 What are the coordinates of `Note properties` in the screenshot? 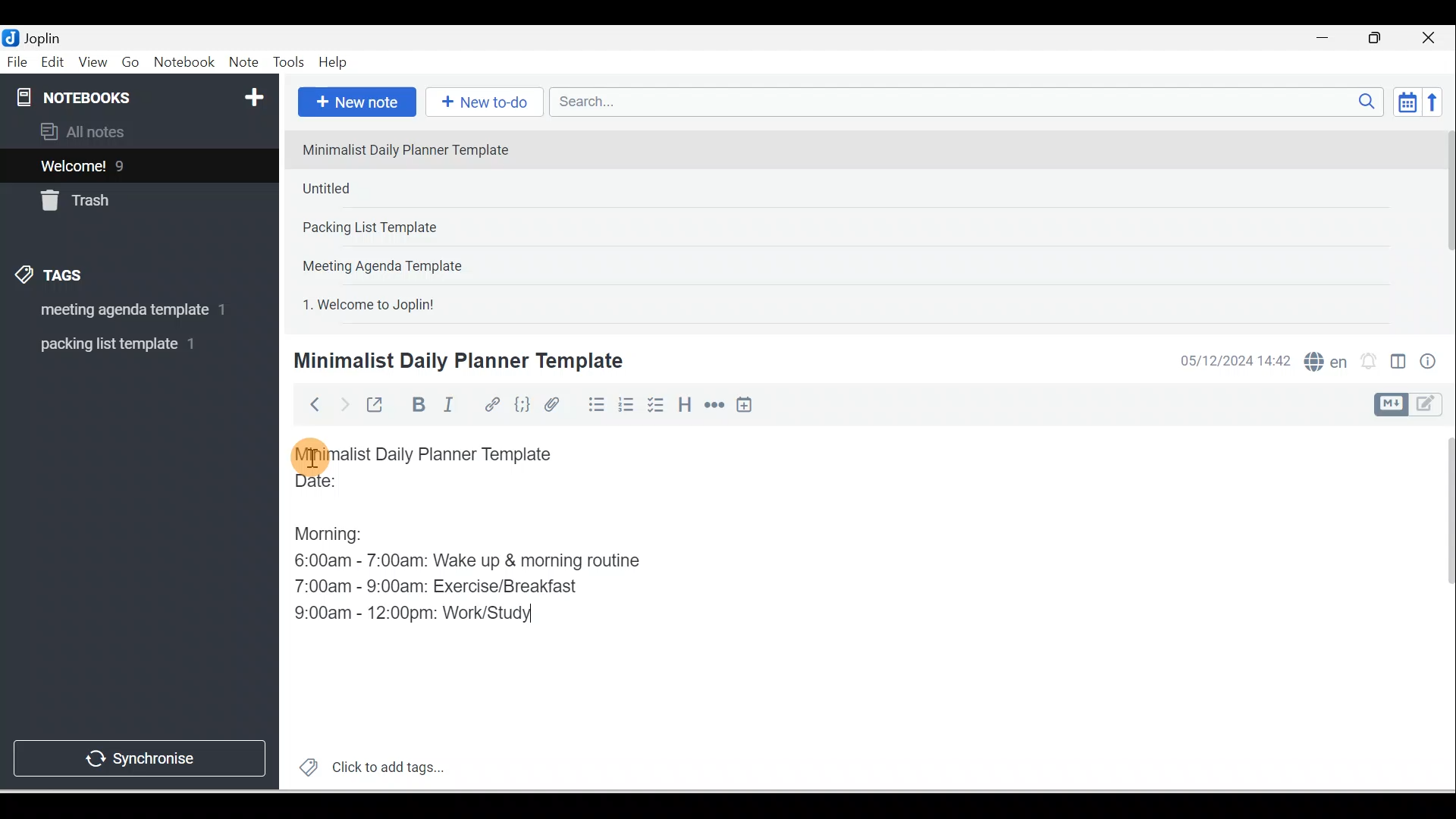 It's located at (1429, 363).